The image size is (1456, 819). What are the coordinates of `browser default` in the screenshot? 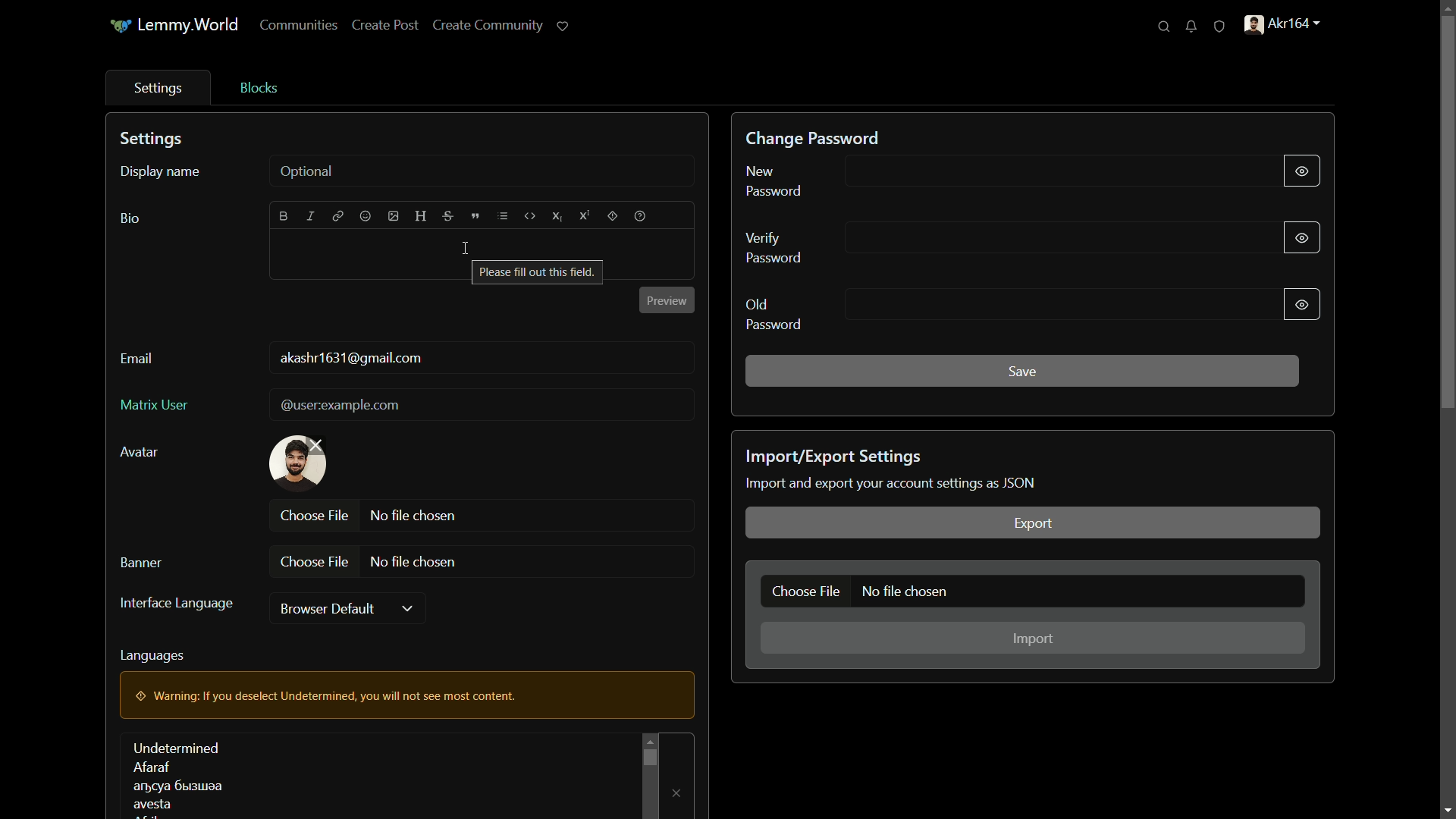 It's located at (325, 608).